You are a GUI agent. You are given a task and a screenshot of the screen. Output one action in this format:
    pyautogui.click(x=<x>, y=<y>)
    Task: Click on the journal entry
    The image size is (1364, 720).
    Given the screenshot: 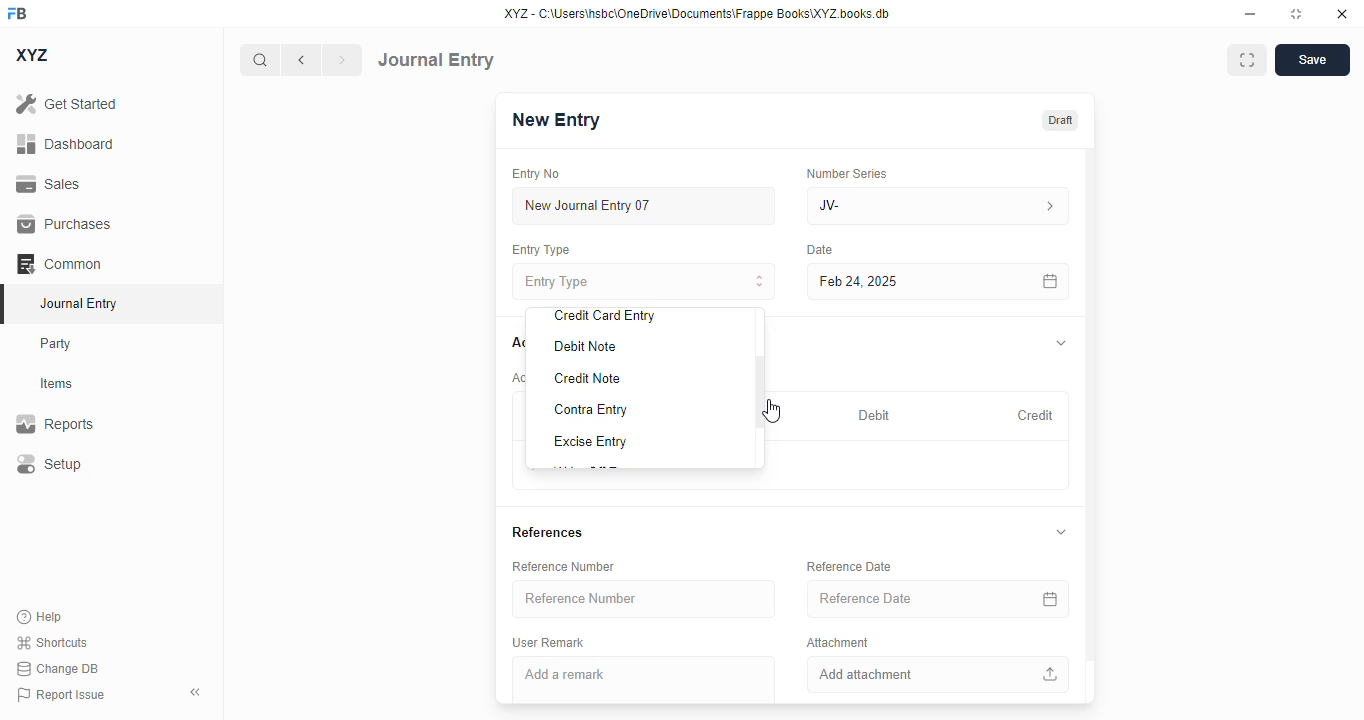 What is the action you would take?
    pyautogui.click(x=436, y=60)
    